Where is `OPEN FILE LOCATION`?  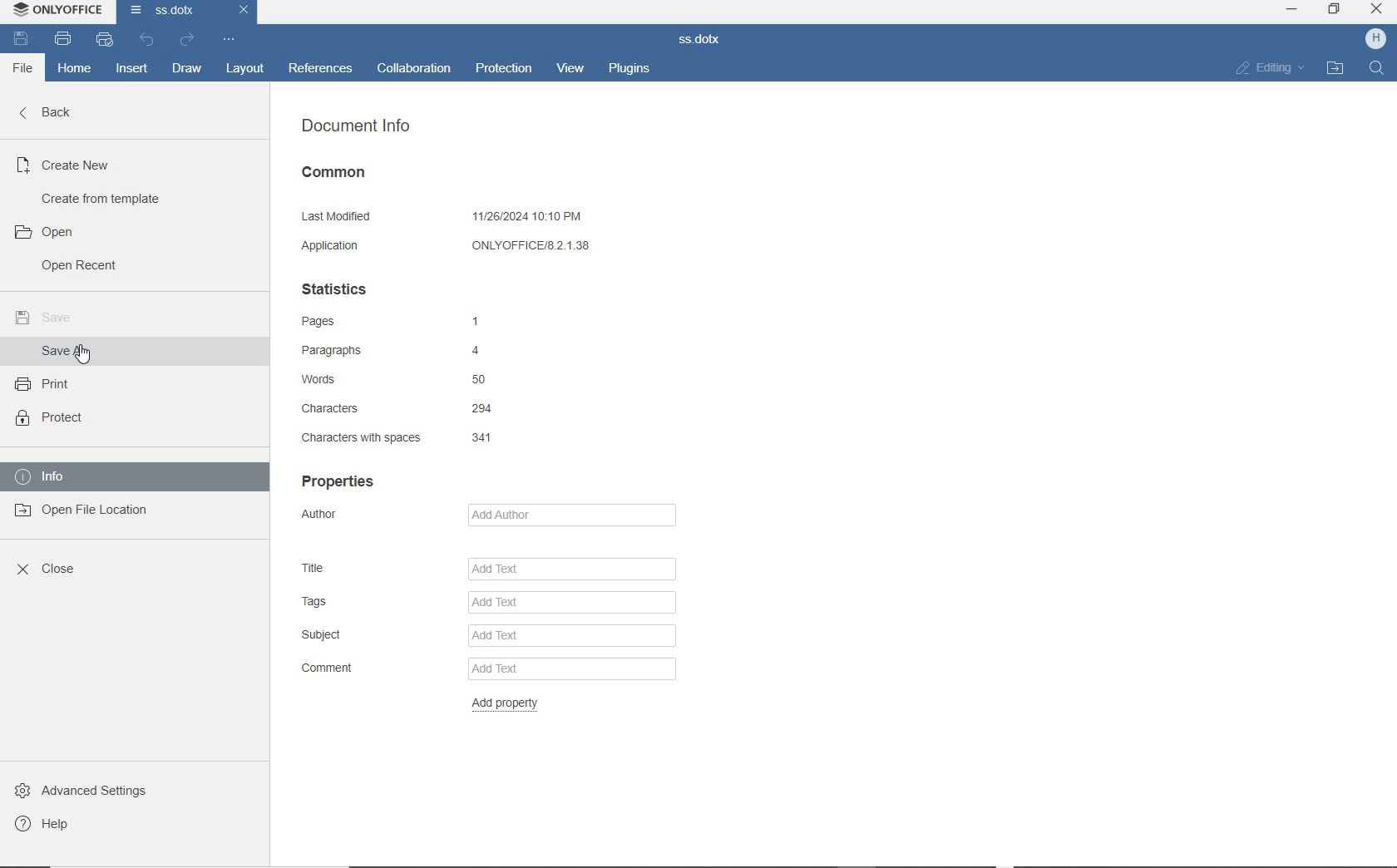
OPEN FILE LOCATION is located at coordinates (1335, 67).